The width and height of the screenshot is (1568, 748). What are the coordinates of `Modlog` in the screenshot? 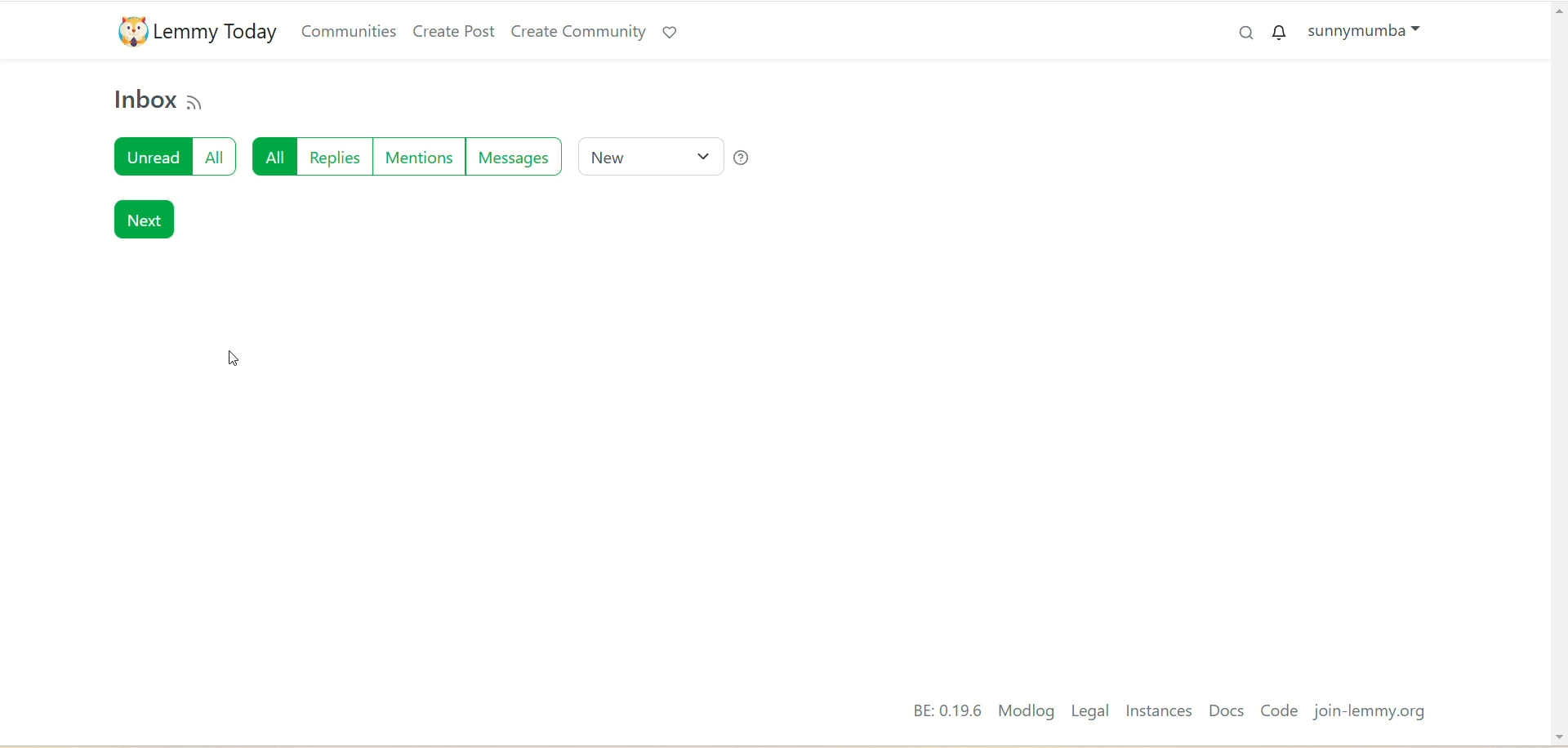 It's located at (1026, 712).